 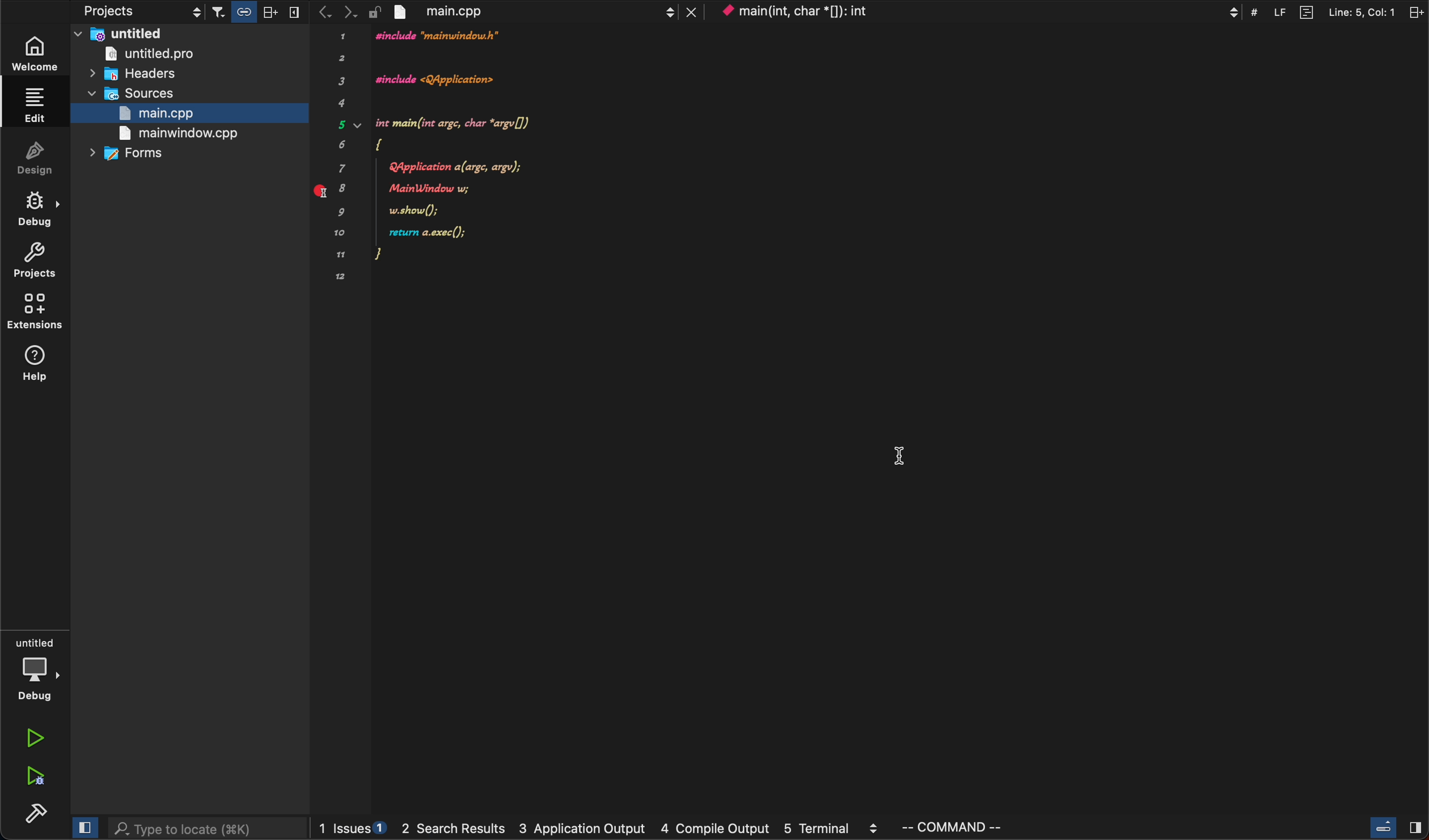 What do you see at coordinates (1348, 11) in the screenshot?
I see `split` at bounding box center [1348, 11].